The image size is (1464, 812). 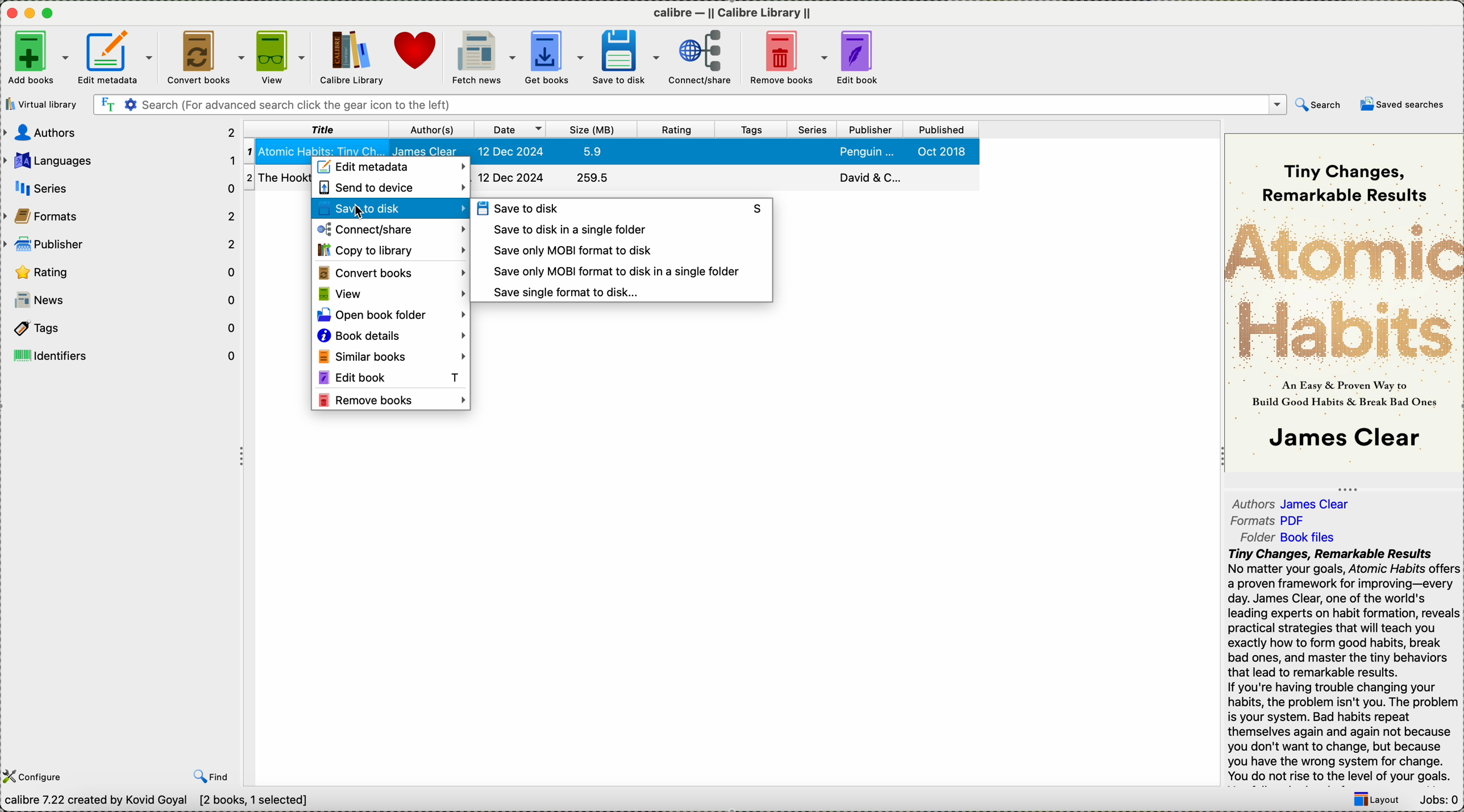 I want to click on date, so click(x=509, y=128).